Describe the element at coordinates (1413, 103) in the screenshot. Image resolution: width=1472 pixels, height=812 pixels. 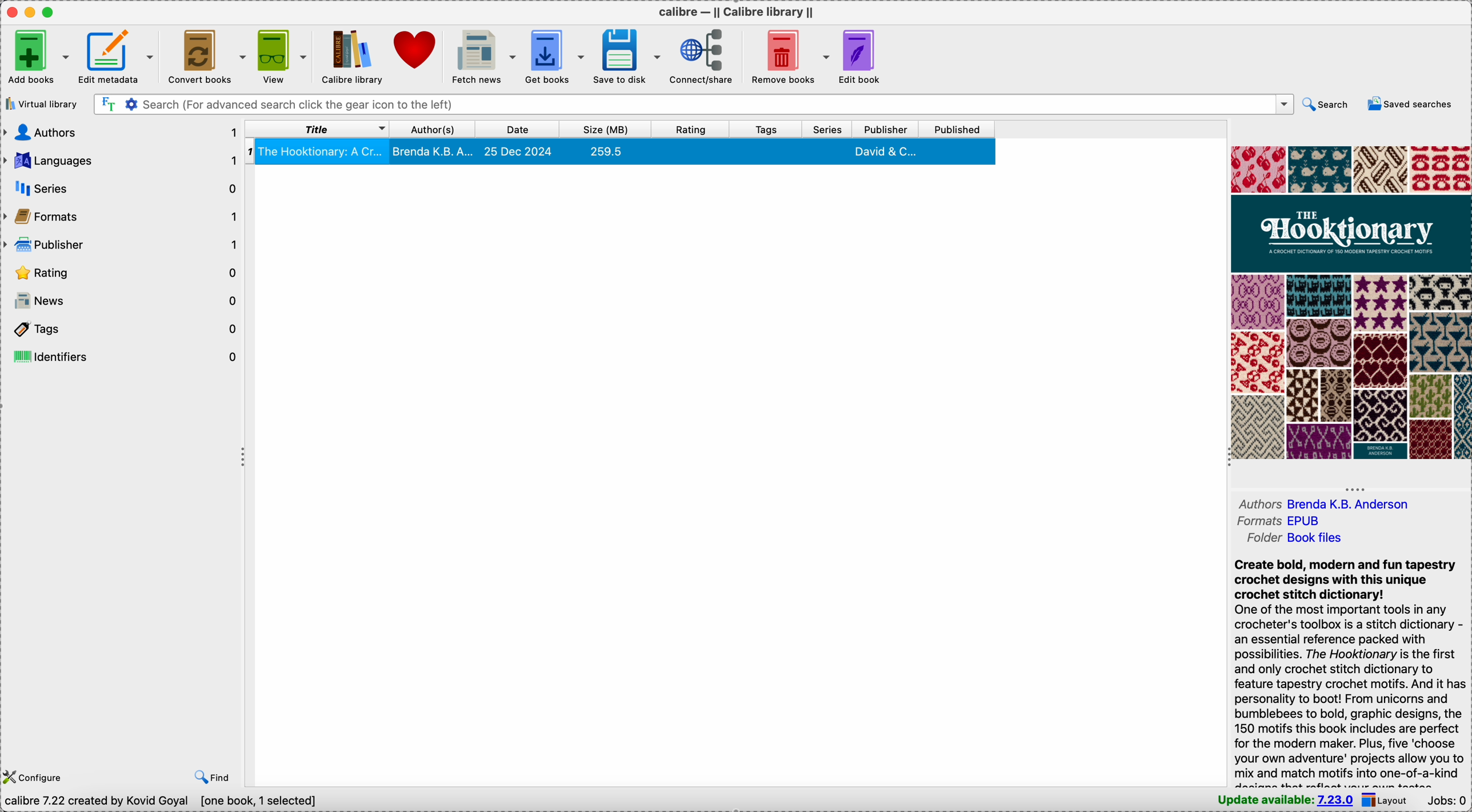
I see `saved searches` at that location.